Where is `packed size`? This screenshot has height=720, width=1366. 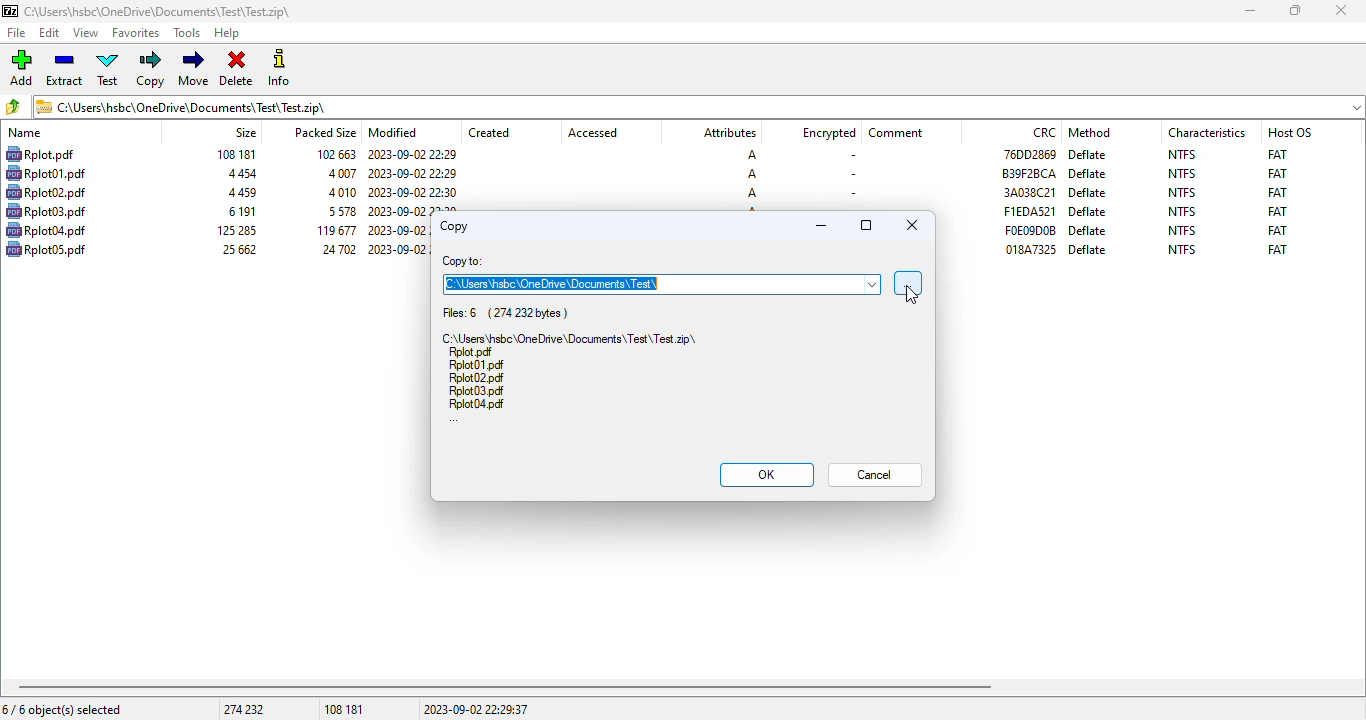 packed size is located at coordinates (332, 153).